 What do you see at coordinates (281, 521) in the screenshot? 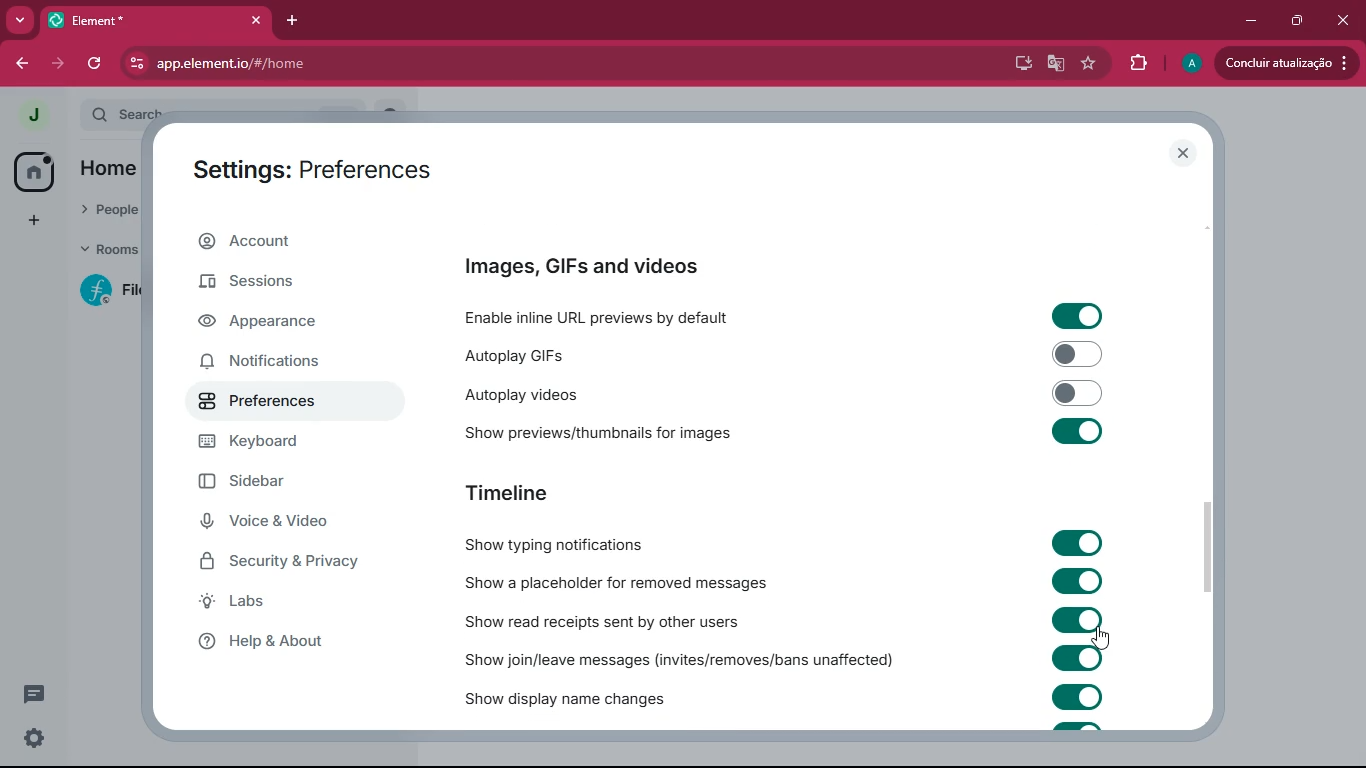
I see `voice & video` at bounding box center [281, 521].